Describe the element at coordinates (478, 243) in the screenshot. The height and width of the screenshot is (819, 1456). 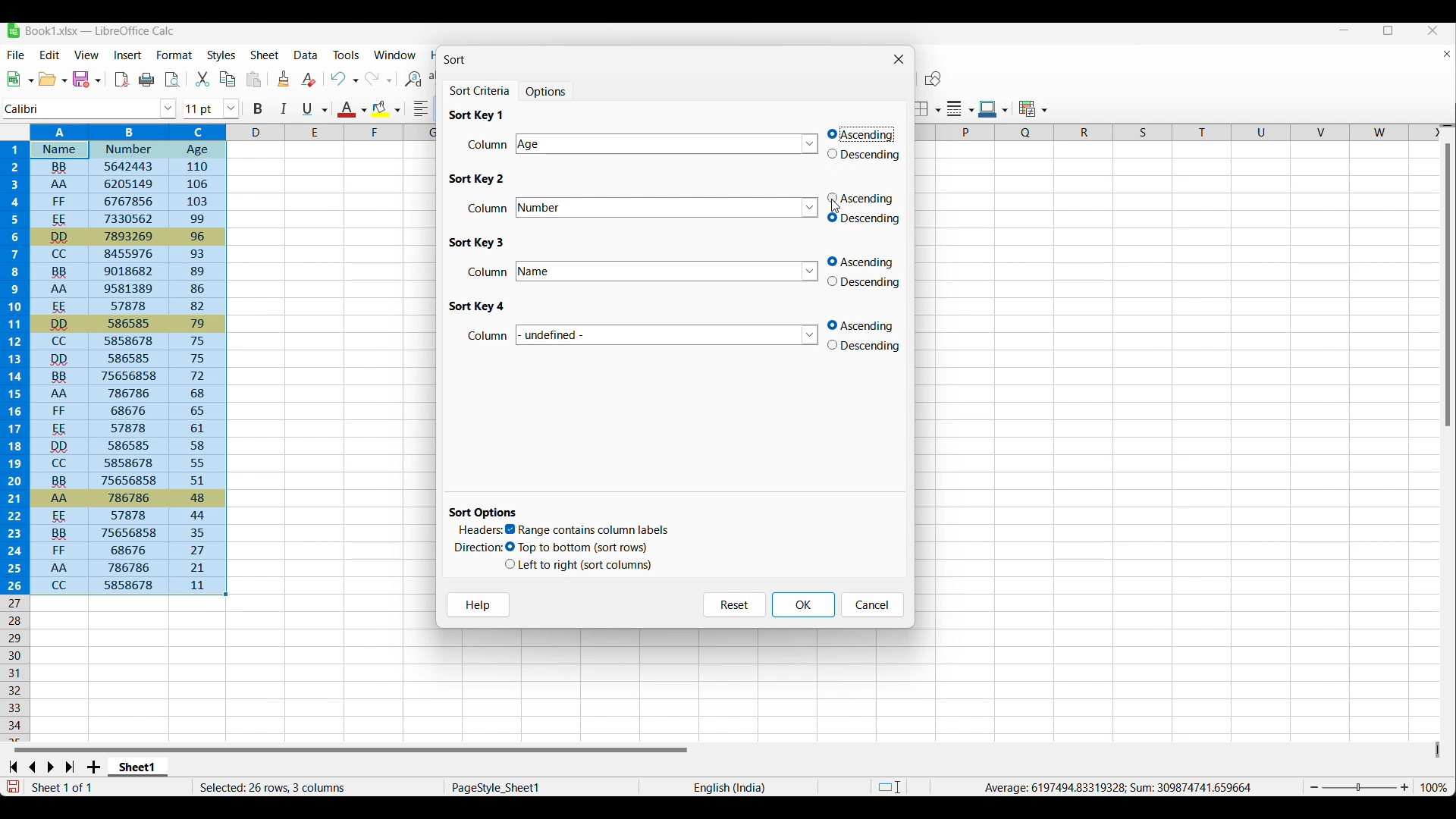
I see `Sort 3 ` at that location.